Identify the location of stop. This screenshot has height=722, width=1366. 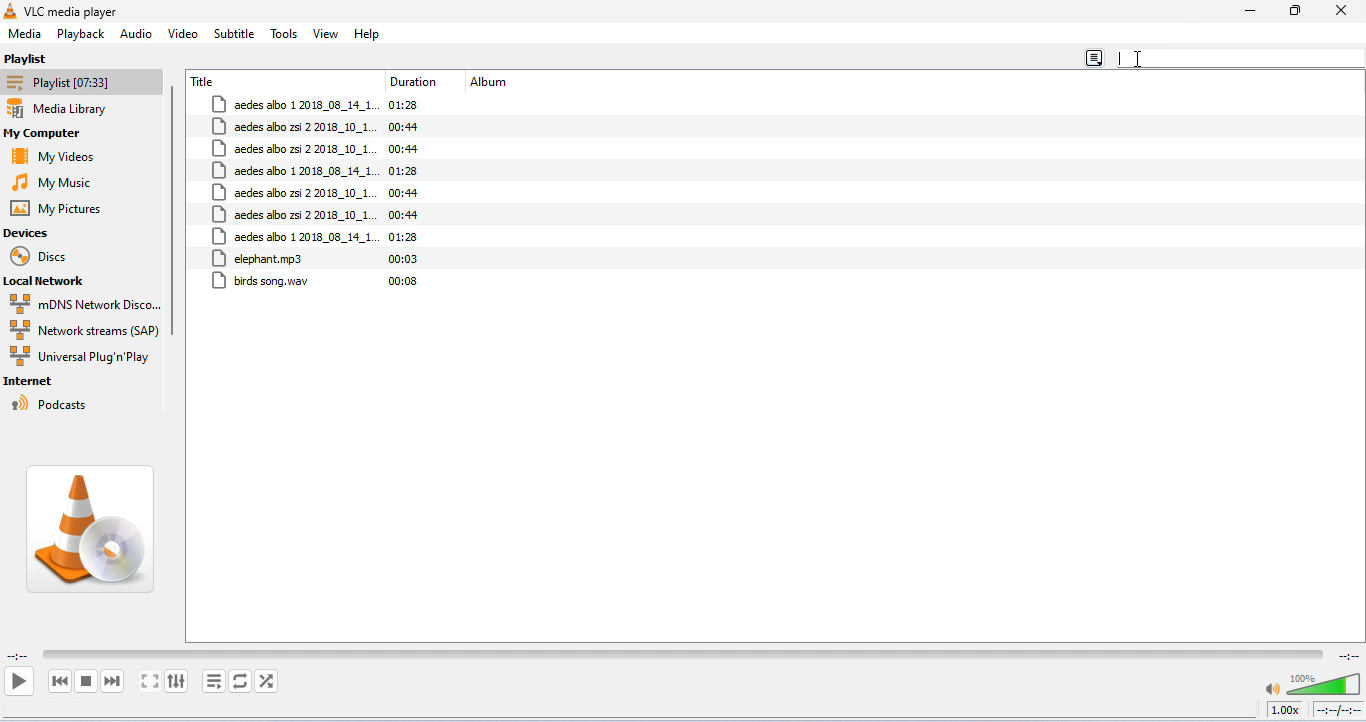
(86, 681).